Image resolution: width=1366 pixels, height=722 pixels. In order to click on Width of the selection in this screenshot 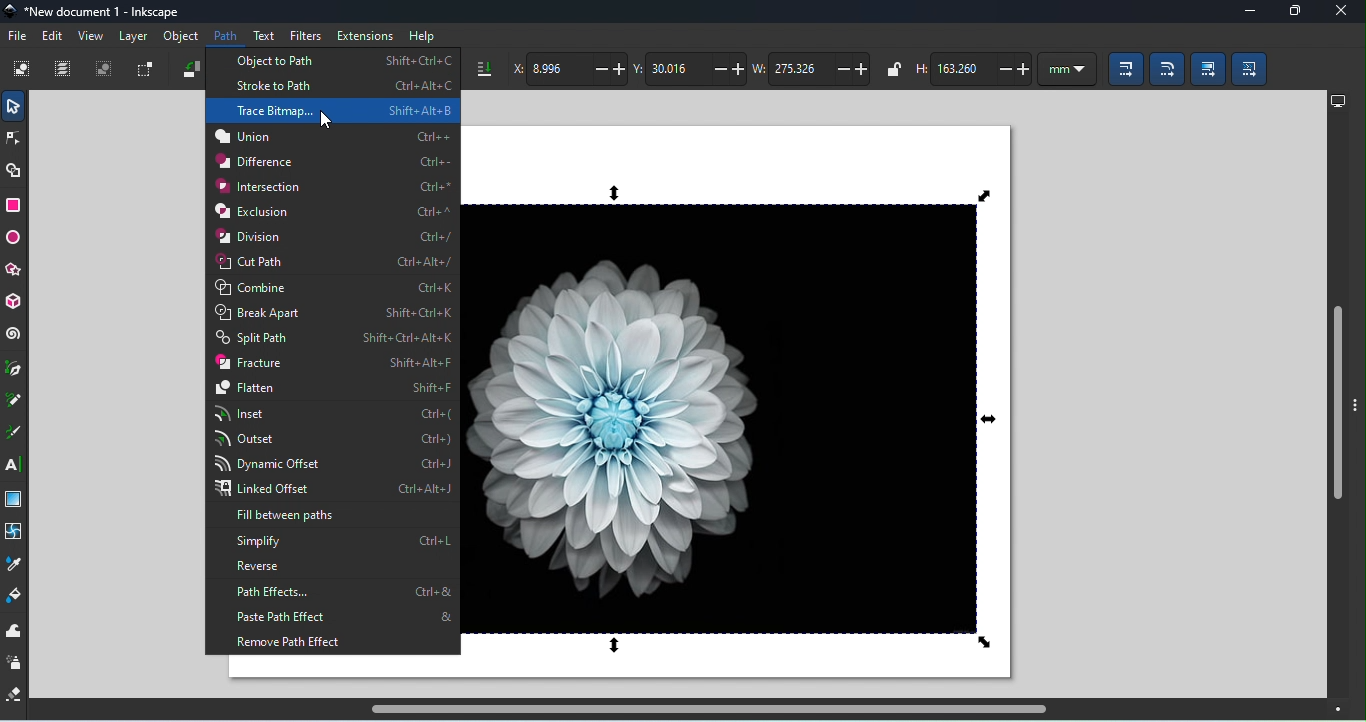, I will do `click(815, 70)`.